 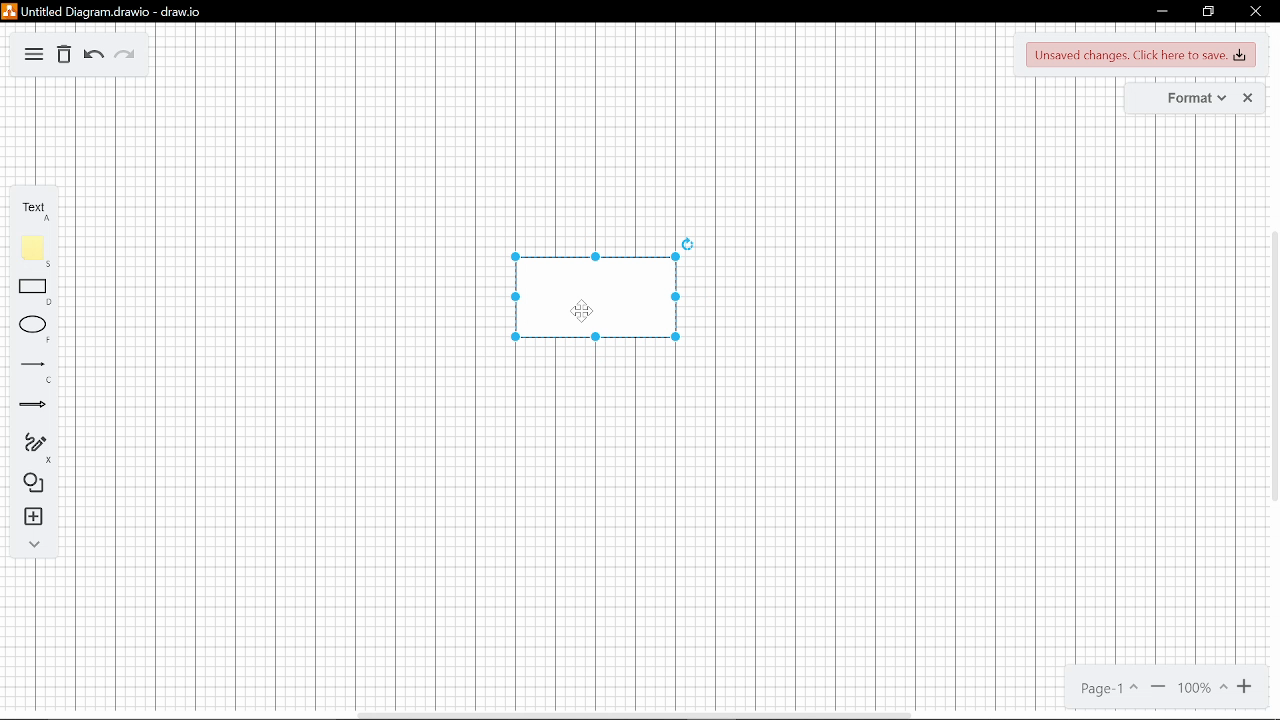 I want to click on format, so click(x=1193, y=97).